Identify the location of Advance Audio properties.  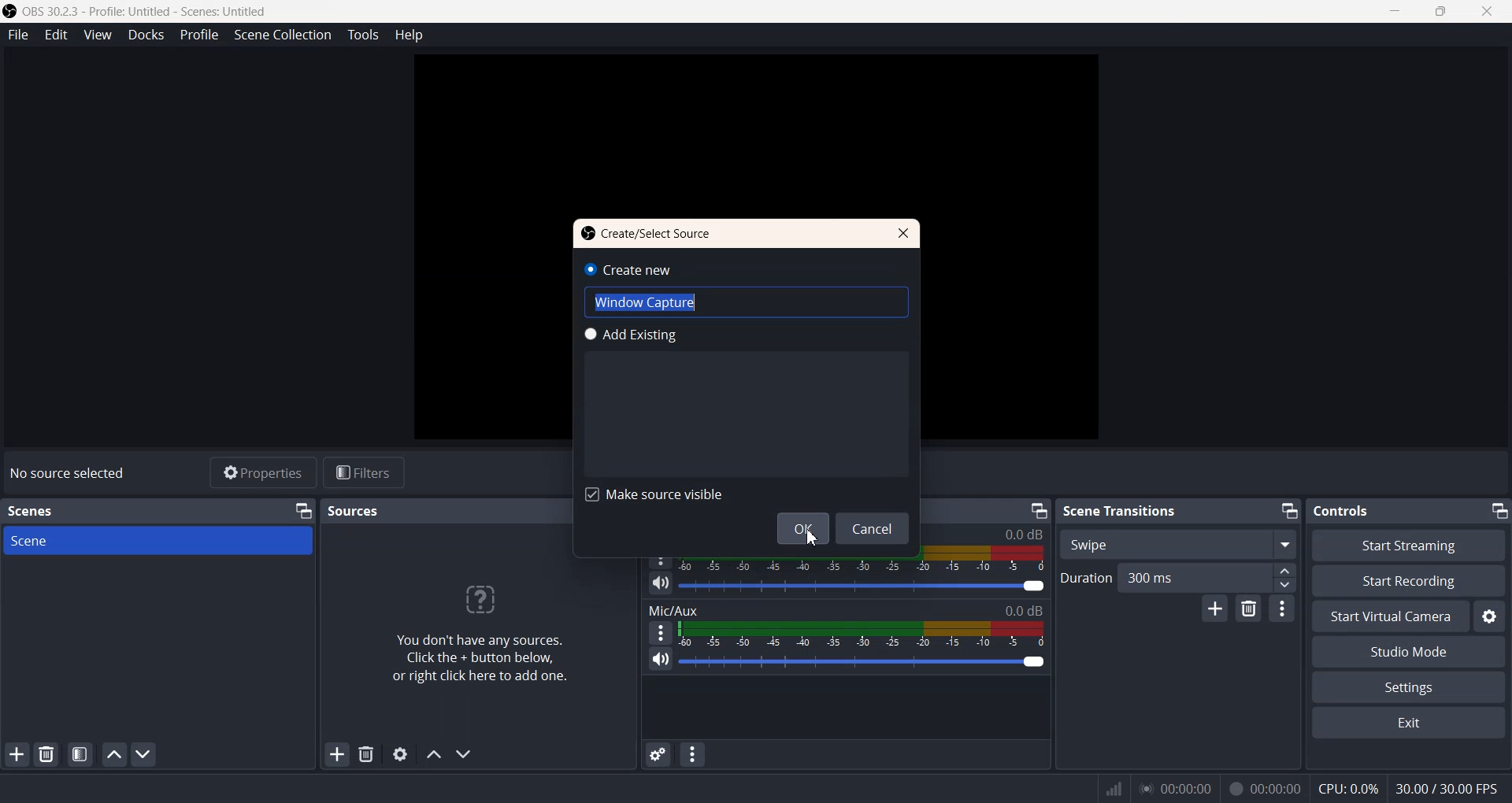
(658, 754).